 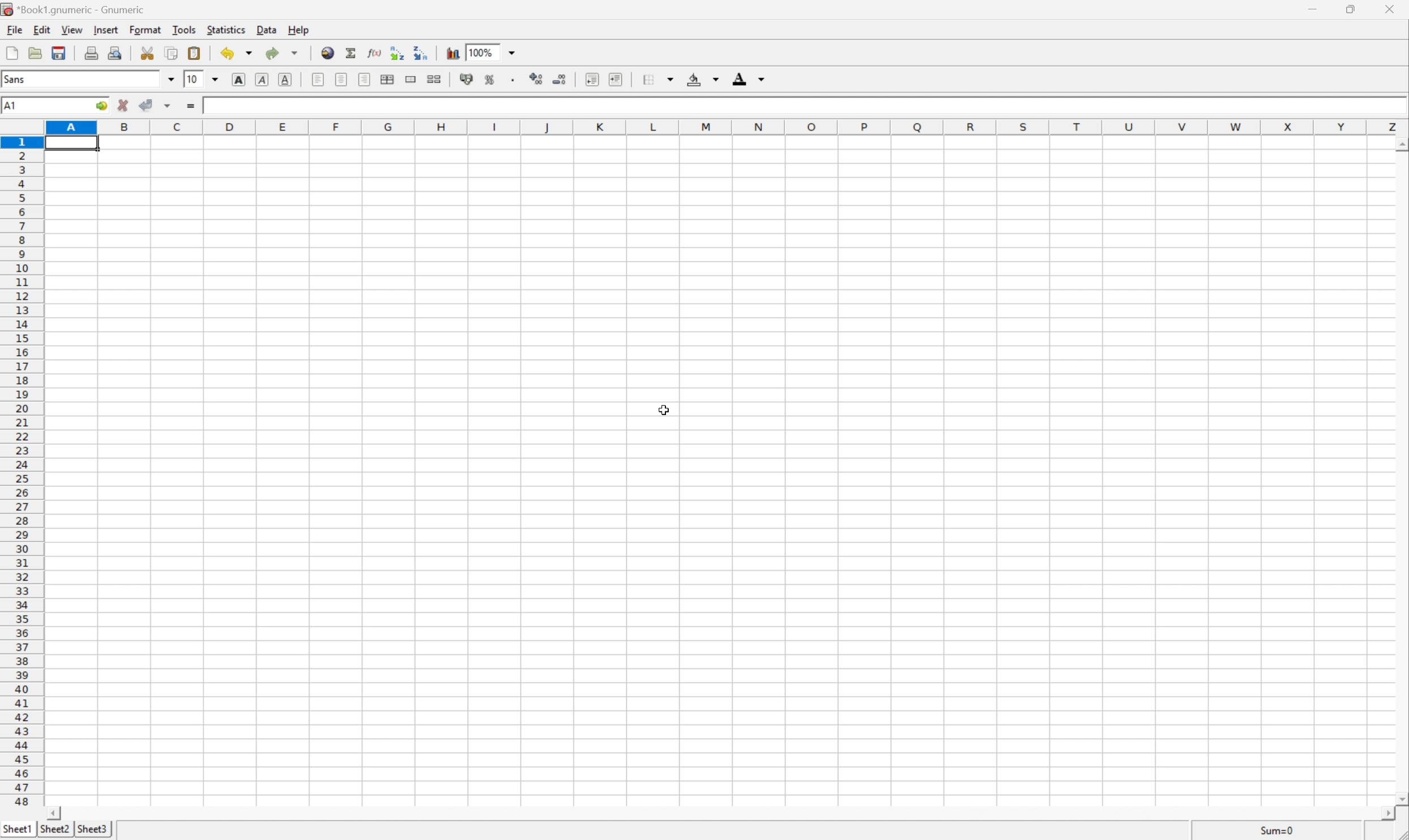 I want to click on Close, so click(x=1389, y=9).